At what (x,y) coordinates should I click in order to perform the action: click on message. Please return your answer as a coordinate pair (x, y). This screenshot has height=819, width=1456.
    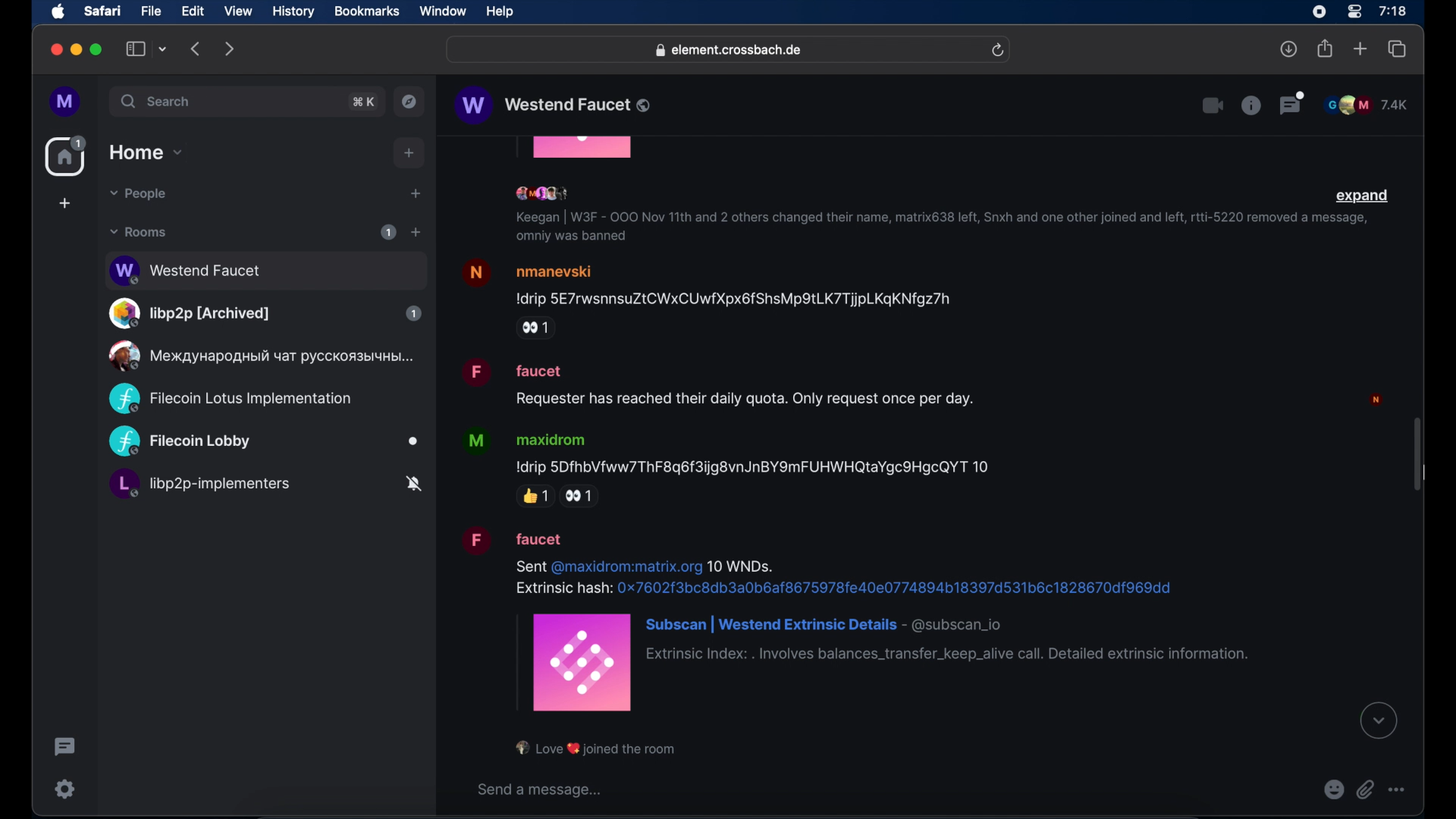
    Looking at the image, I should click on (708, 282).